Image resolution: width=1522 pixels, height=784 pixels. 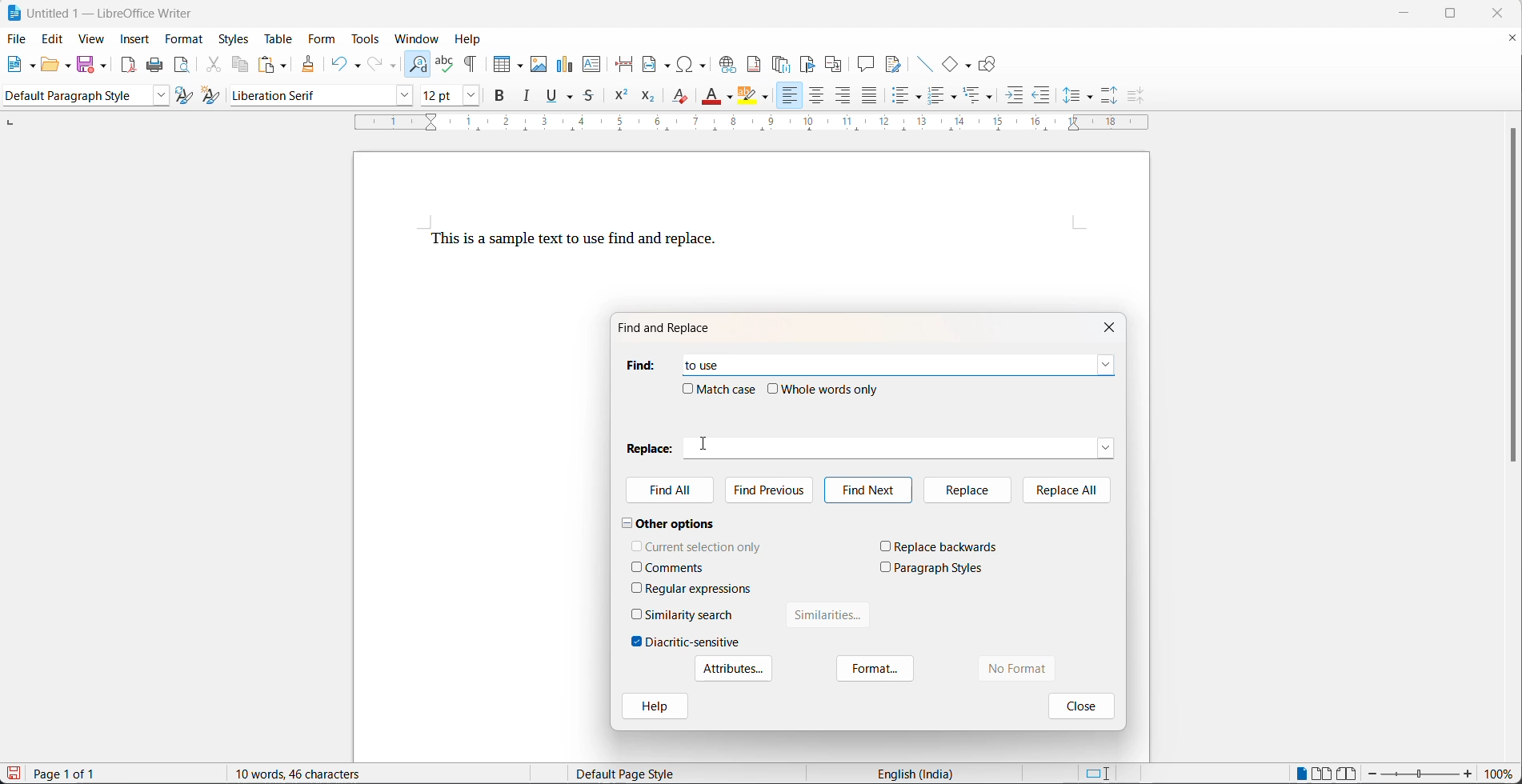 I want to click on no format, so click(x=1034, y=669).